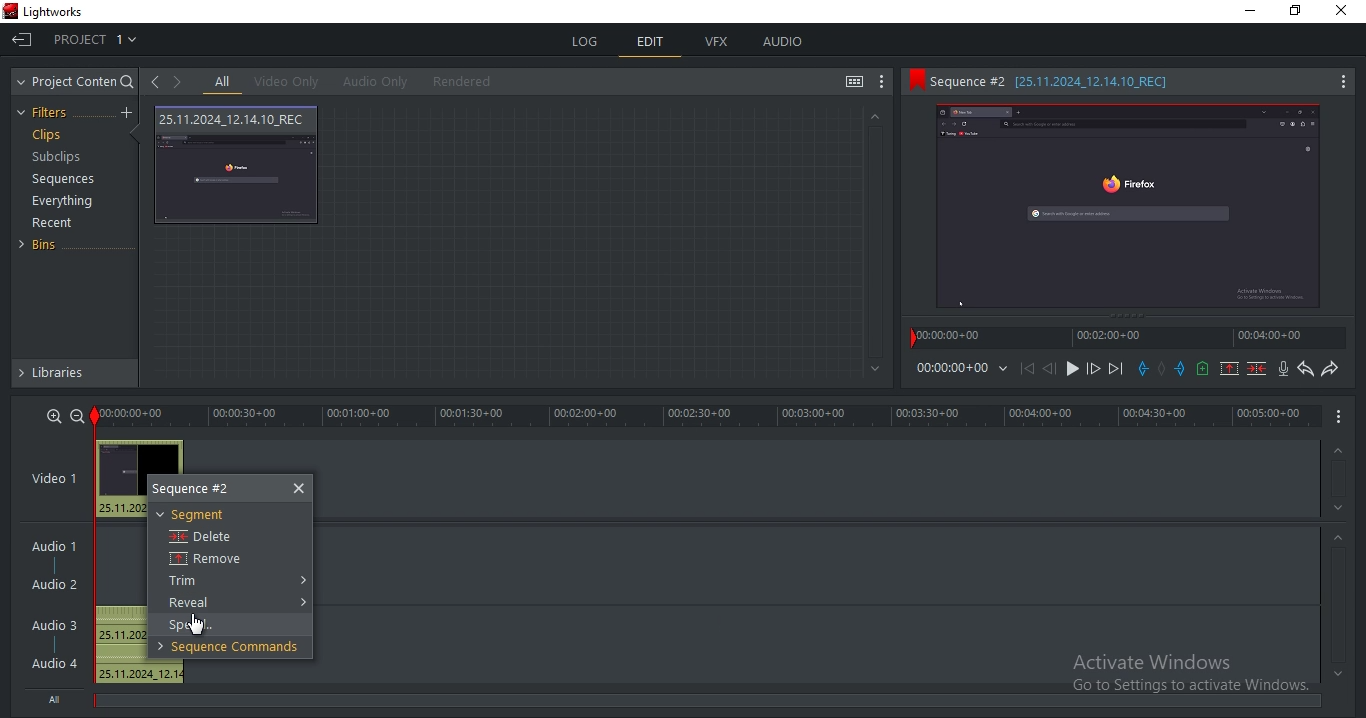  Describe the element at coordinates (1300, 12) in the screenshot. I see `maximize` at that location.